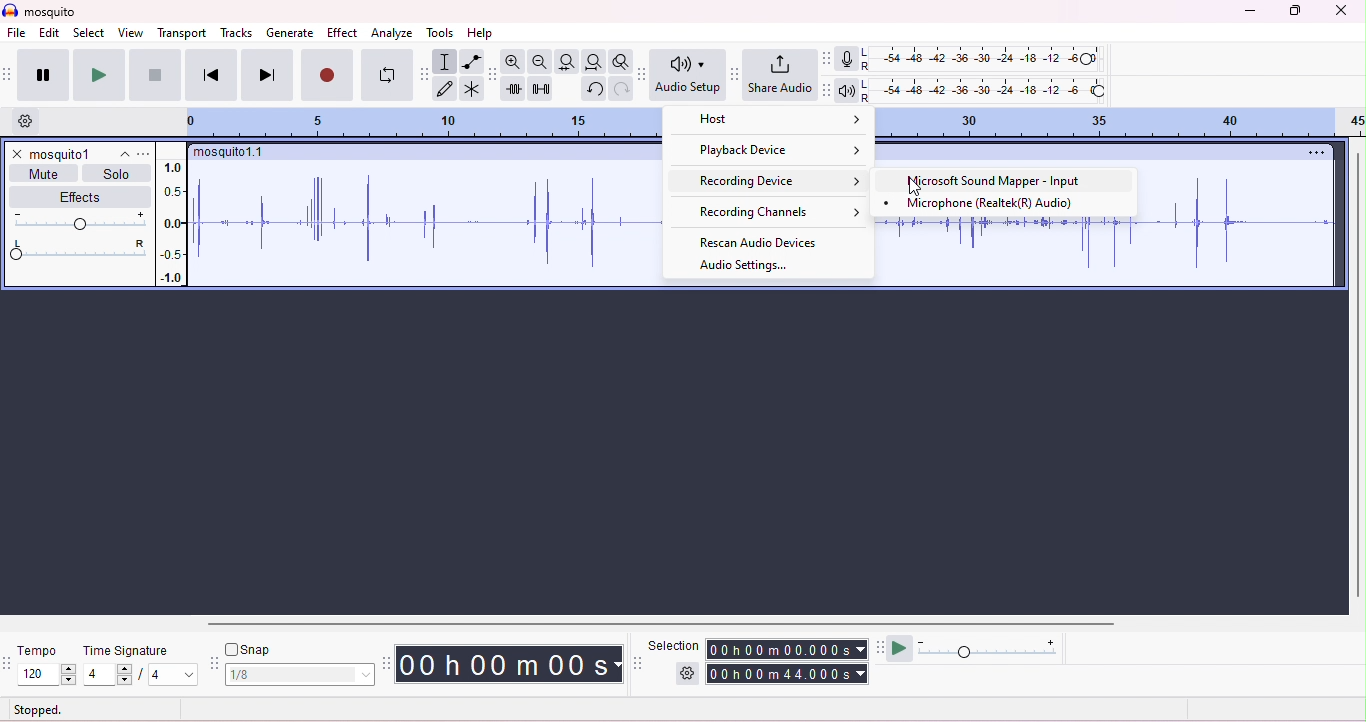  What do you see at coordinates (989, 647) in the screenshot?
I see `playback speed` at bounding box center [989, 647].